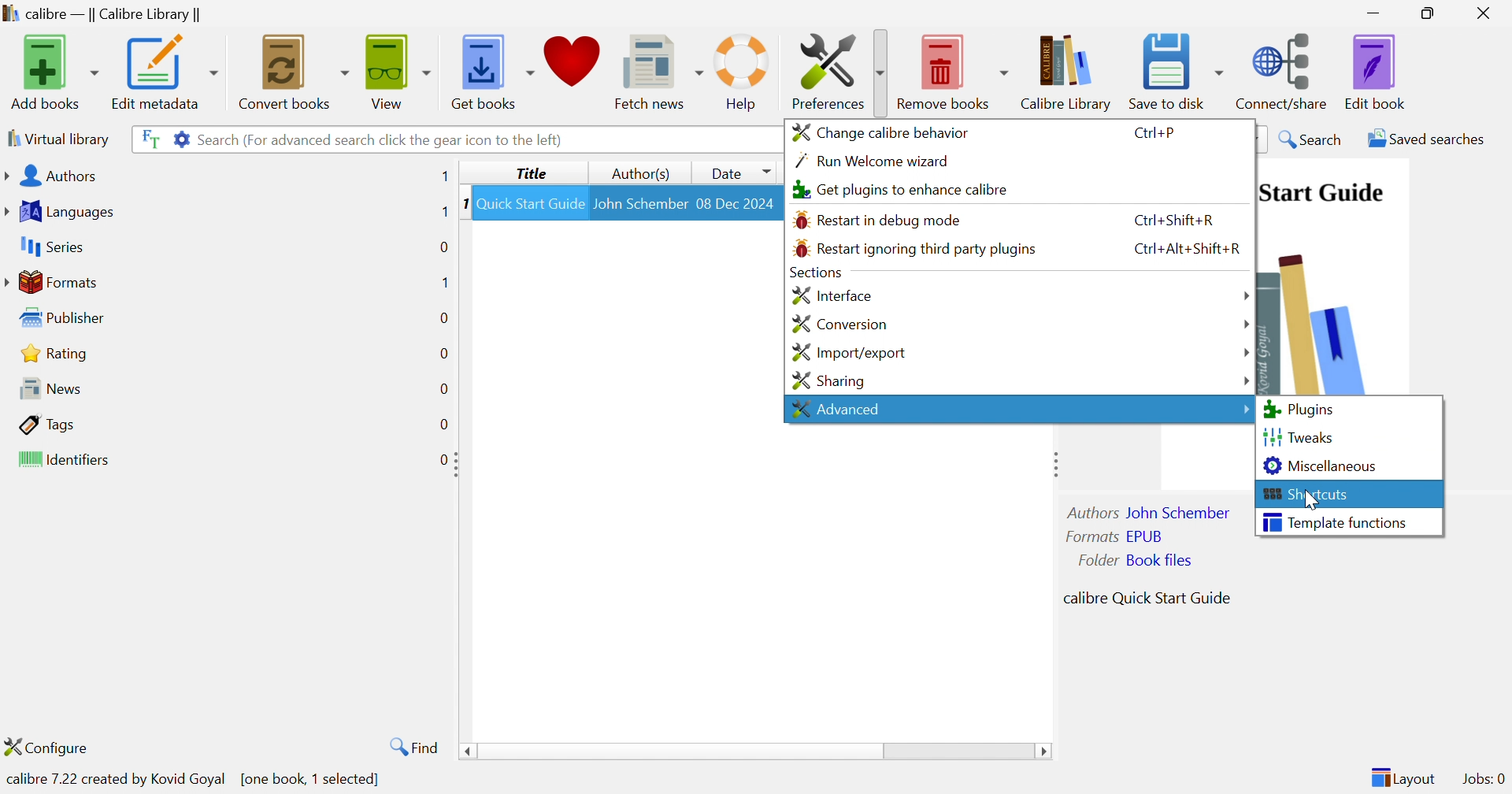 Image resolution: width=1512 pixels, height=794 pixels. What do you see at coordinates (1321, 465) in the screenshot?
I see `Miscellaneous` at bounding box center [1321, 465].